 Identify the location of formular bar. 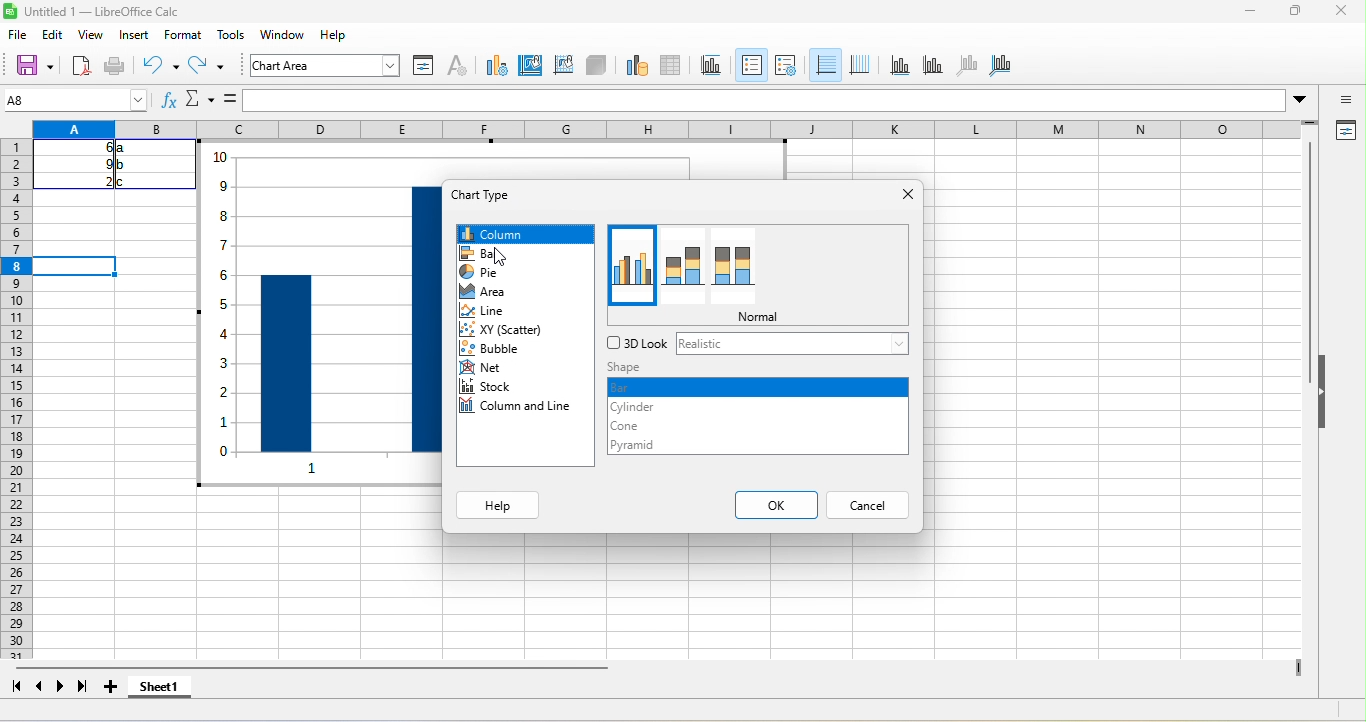
(768, 102).